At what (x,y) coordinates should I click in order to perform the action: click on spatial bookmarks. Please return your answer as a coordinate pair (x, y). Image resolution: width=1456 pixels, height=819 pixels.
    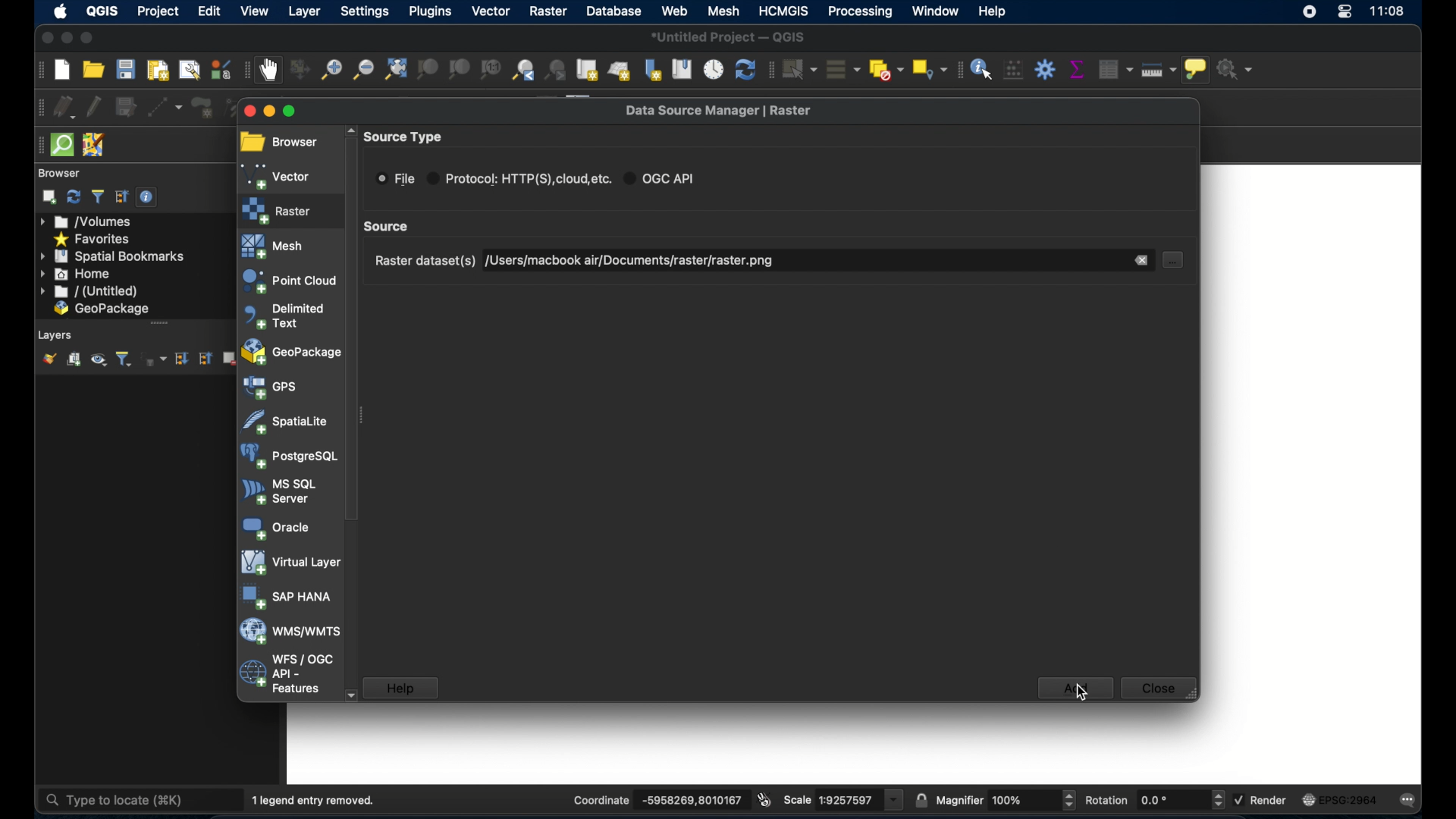
    Looking at the image, I should click on (113, 256).